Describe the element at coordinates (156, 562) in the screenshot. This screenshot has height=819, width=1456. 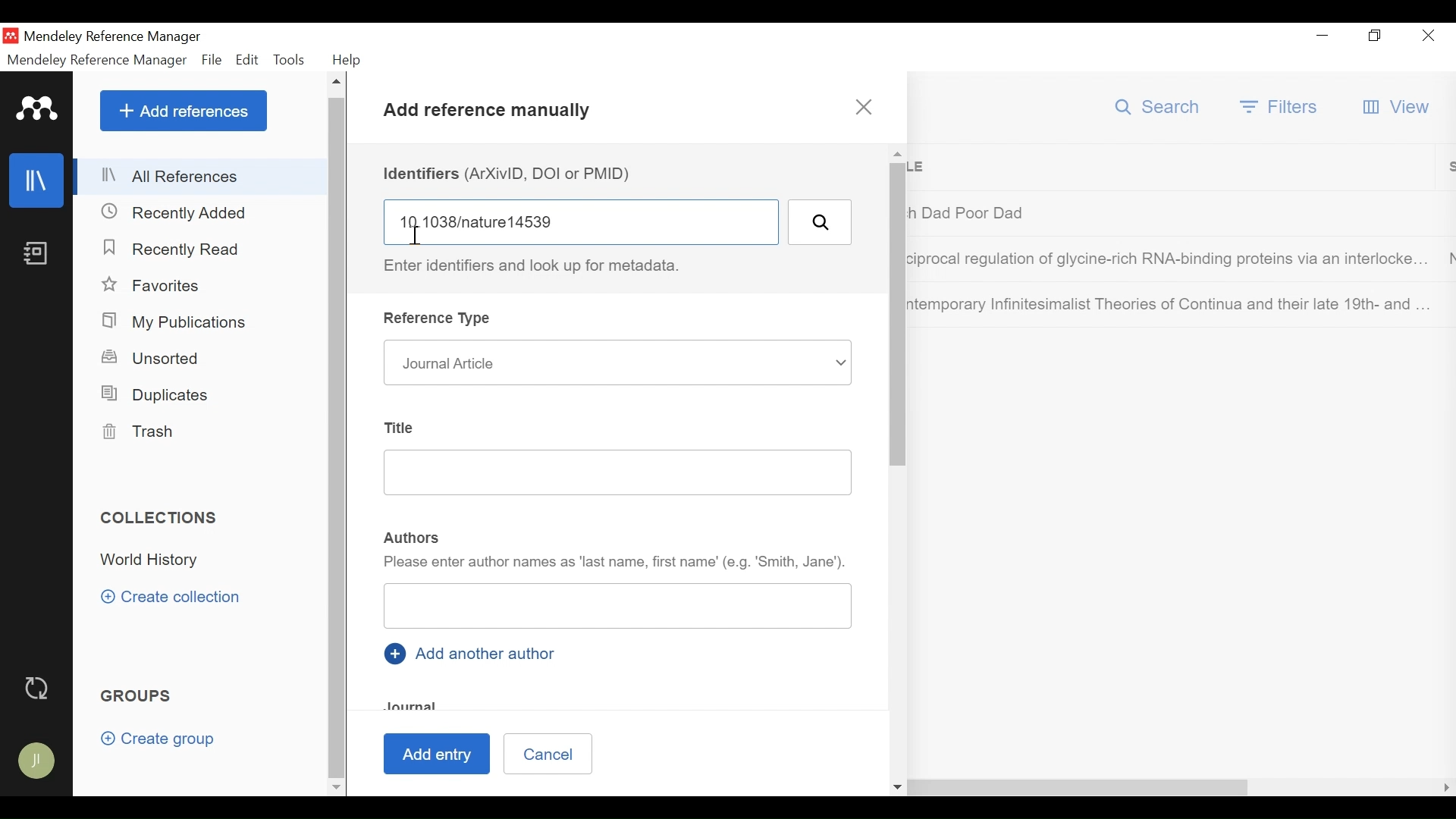
I see `Collection` at that location.